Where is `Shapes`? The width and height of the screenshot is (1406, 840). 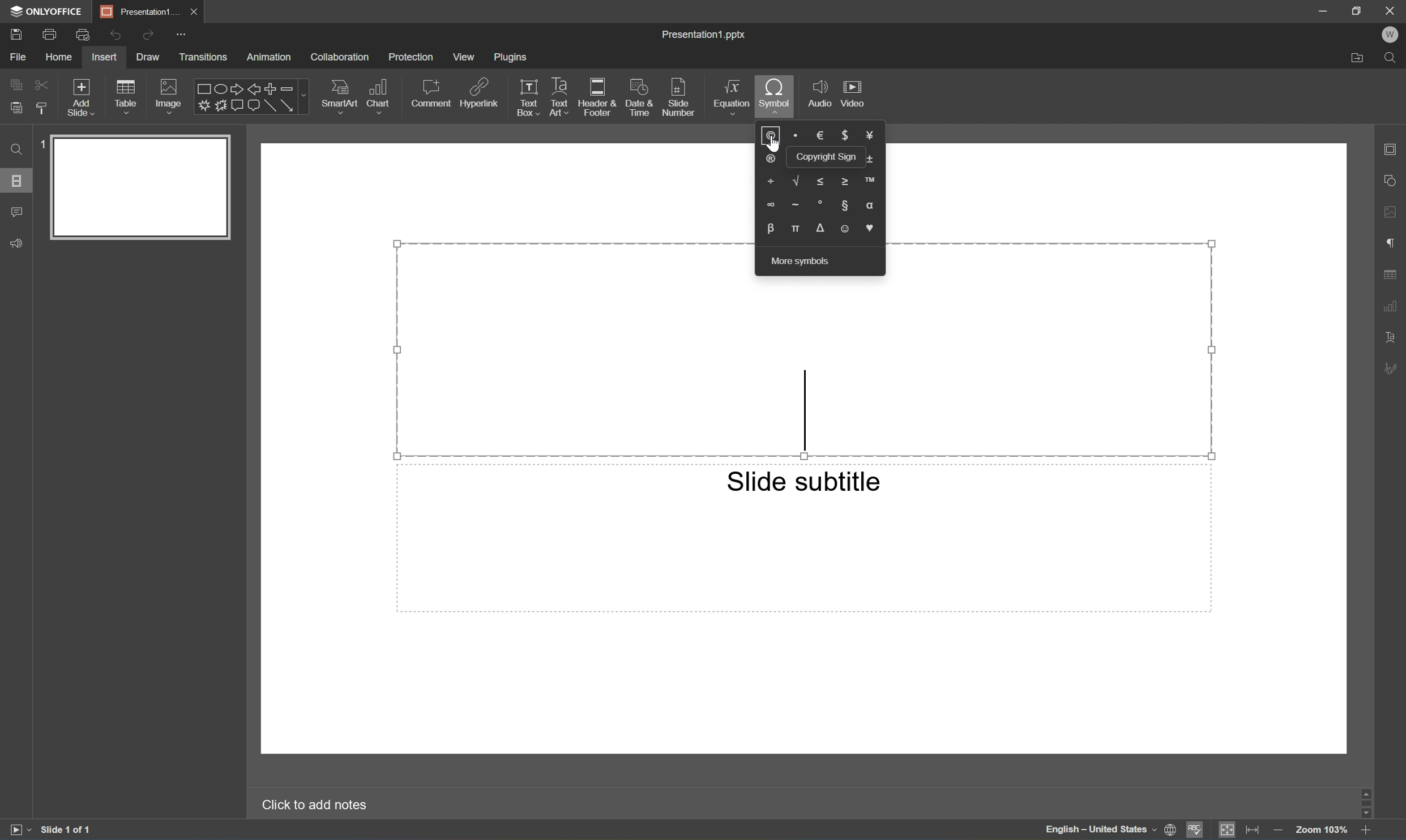
Shapes is located at coordinates (253, 96).